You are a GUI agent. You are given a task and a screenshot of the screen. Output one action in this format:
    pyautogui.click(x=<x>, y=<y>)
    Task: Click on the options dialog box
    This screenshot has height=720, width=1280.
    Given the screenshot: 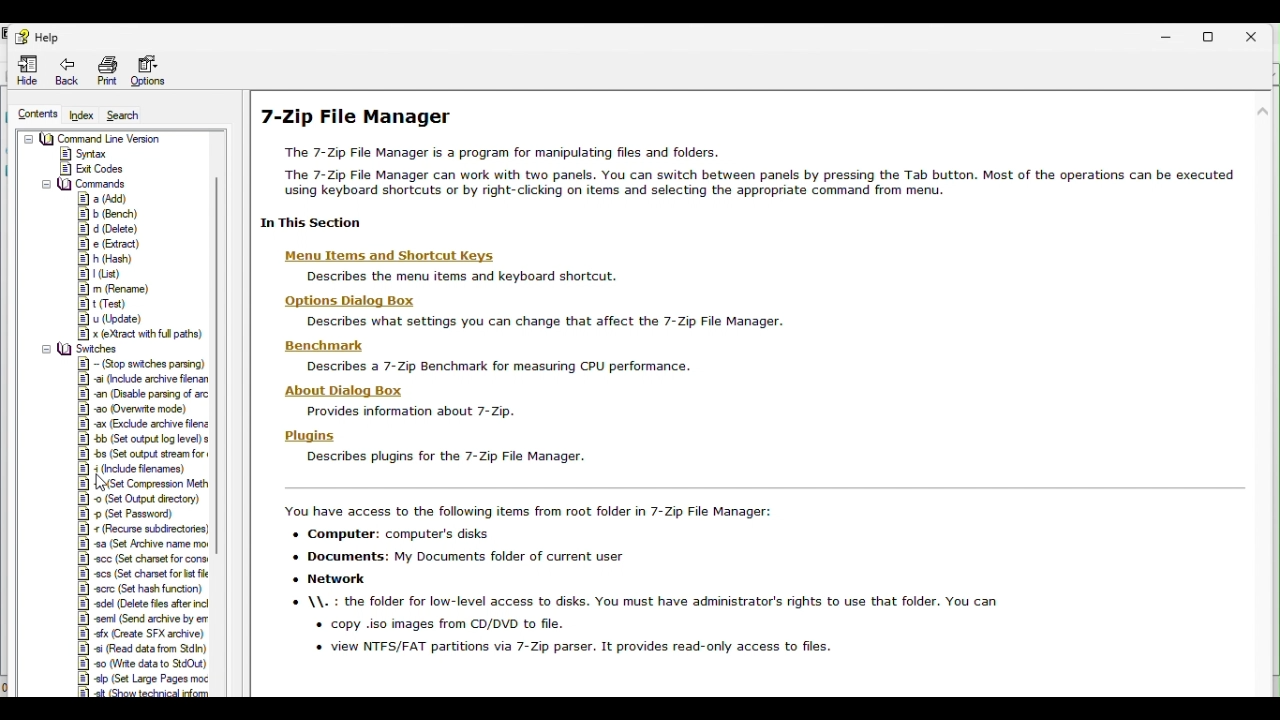 What is the action you would take?
    pyautogui.click(x=352, y=300)
    